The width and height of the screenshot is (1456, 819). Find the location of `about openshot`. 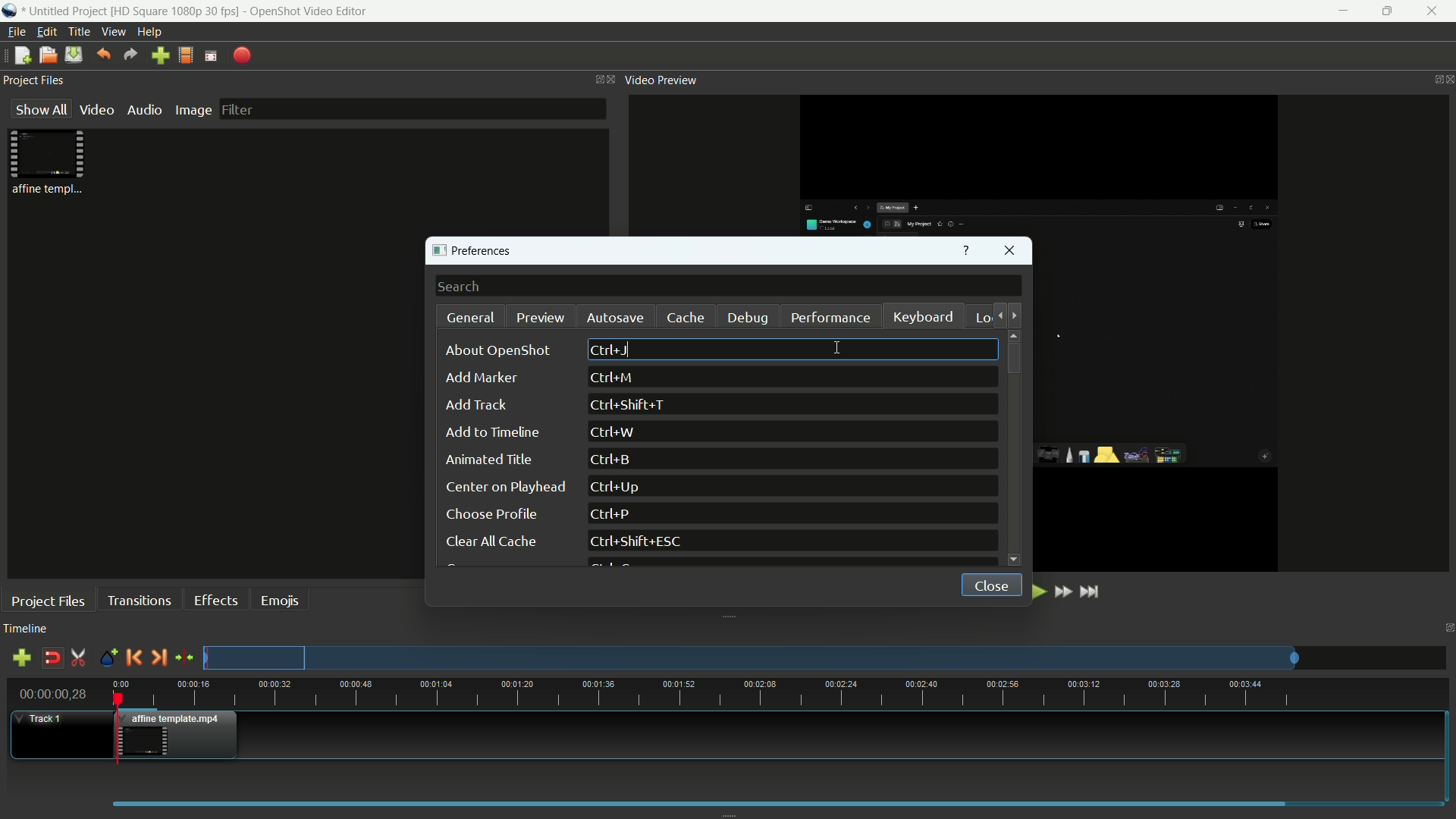

about openshot is located at coordinates (502, 350).